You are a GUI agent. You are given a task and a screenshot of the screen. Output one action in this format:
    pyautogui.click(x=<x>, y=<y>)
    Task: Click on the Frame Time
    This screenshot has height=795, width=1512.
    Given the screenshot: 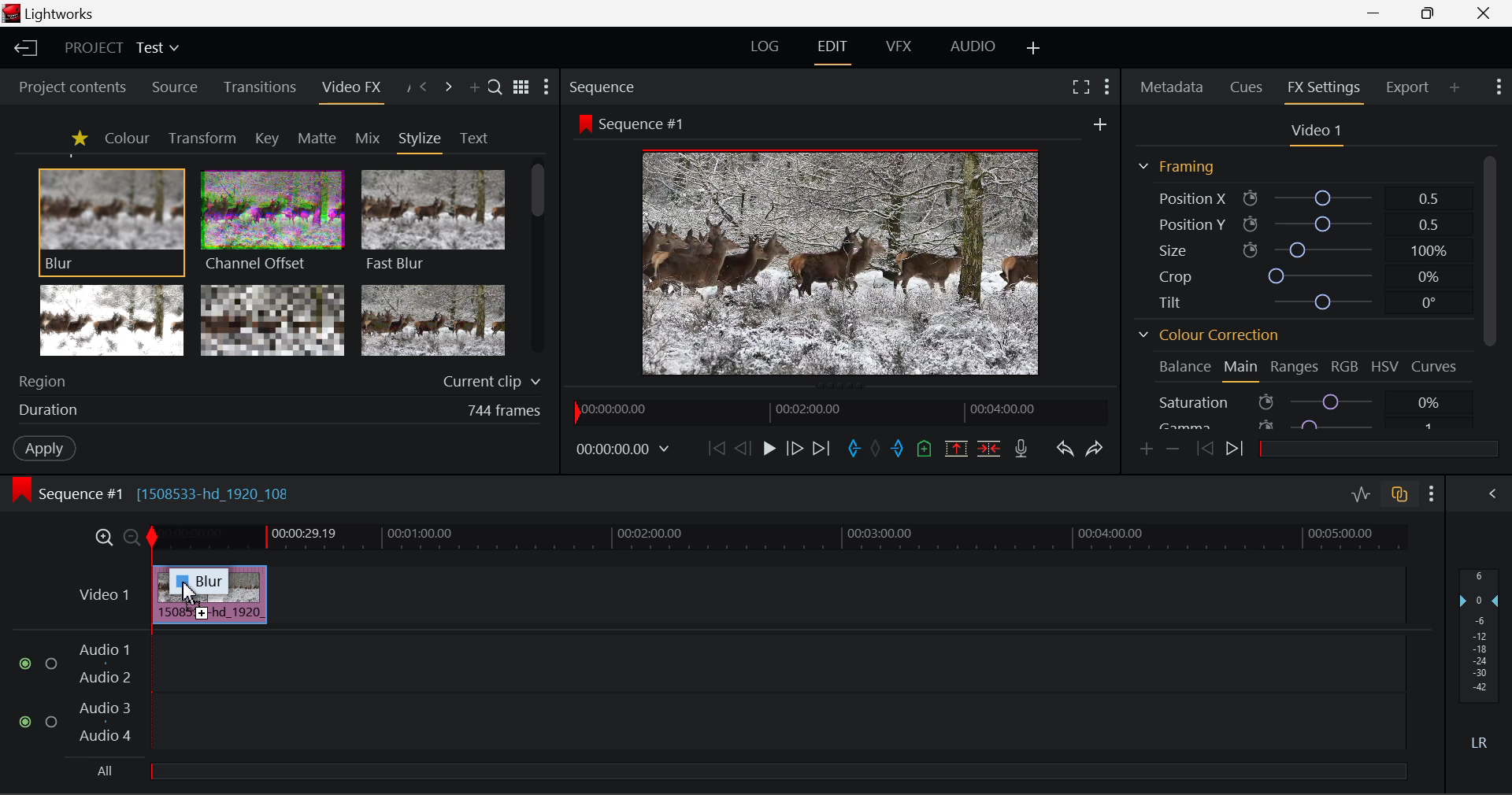 What is the action you would take?
    pyautogui.click(x=624, y=448)
    